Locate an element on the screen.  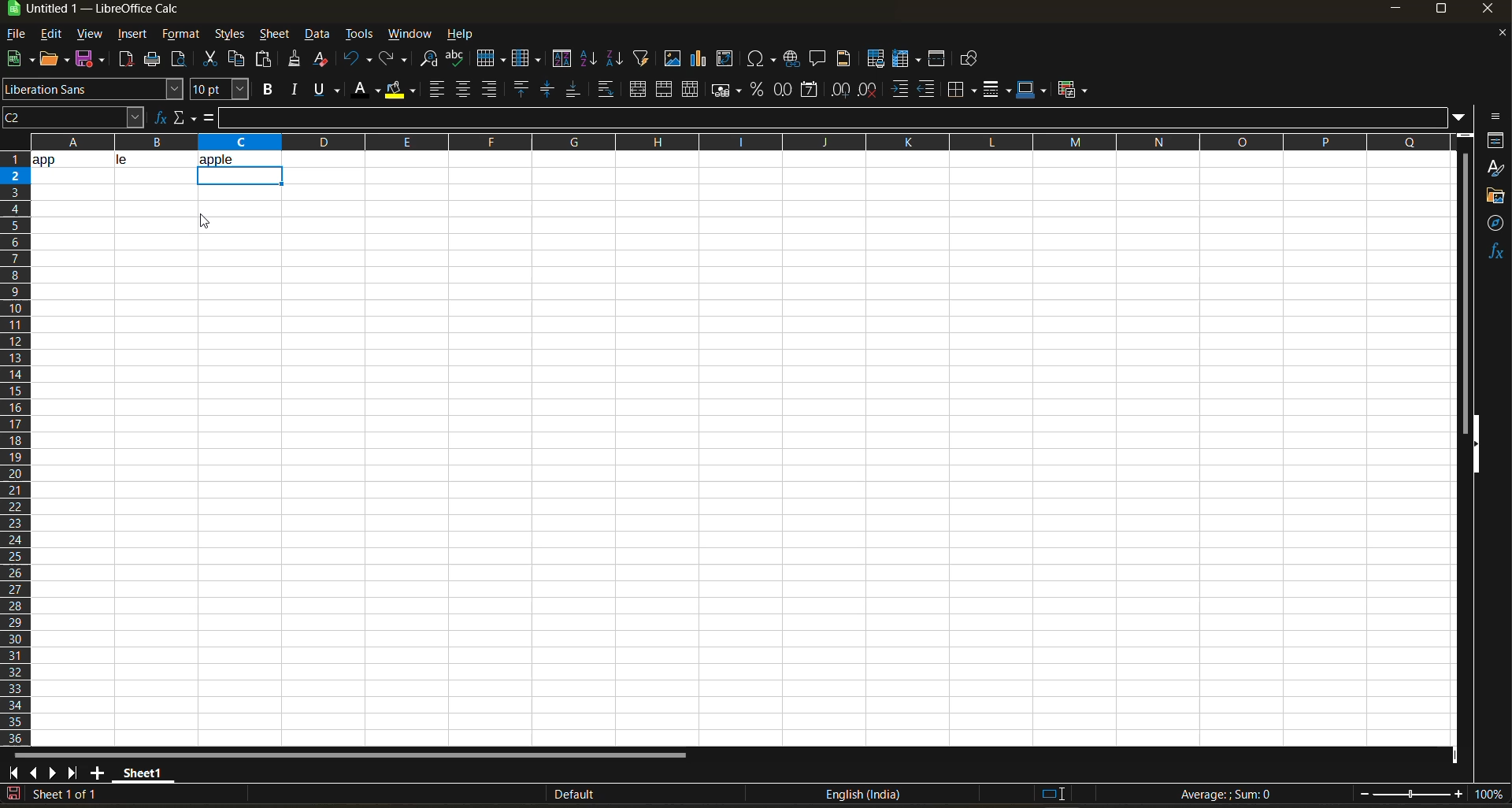
autofilter is located at coordinates (642, 57).